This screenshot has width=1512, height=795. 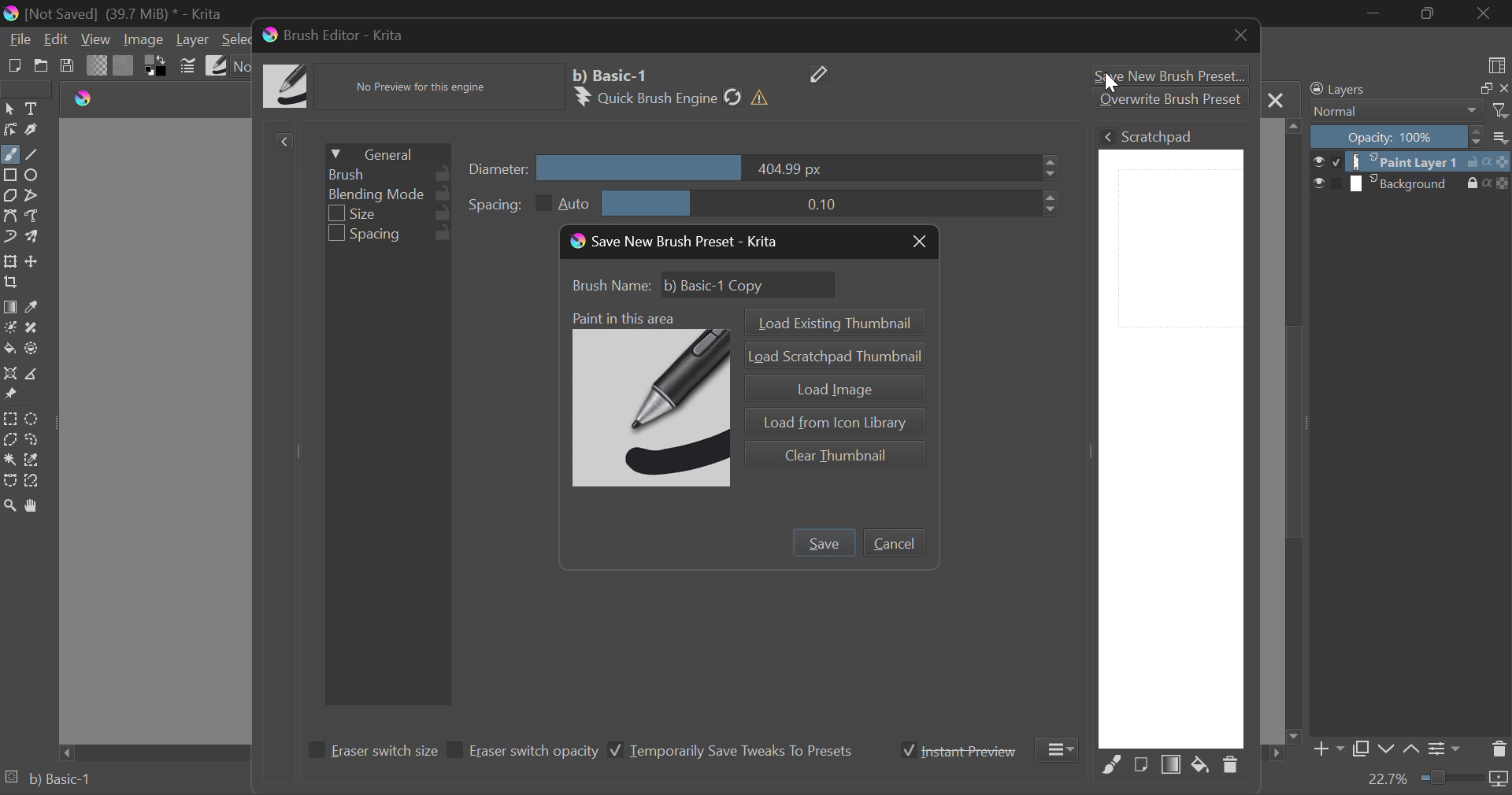 I want to click on Freehand Path Tools, so click(x=37, y=215).